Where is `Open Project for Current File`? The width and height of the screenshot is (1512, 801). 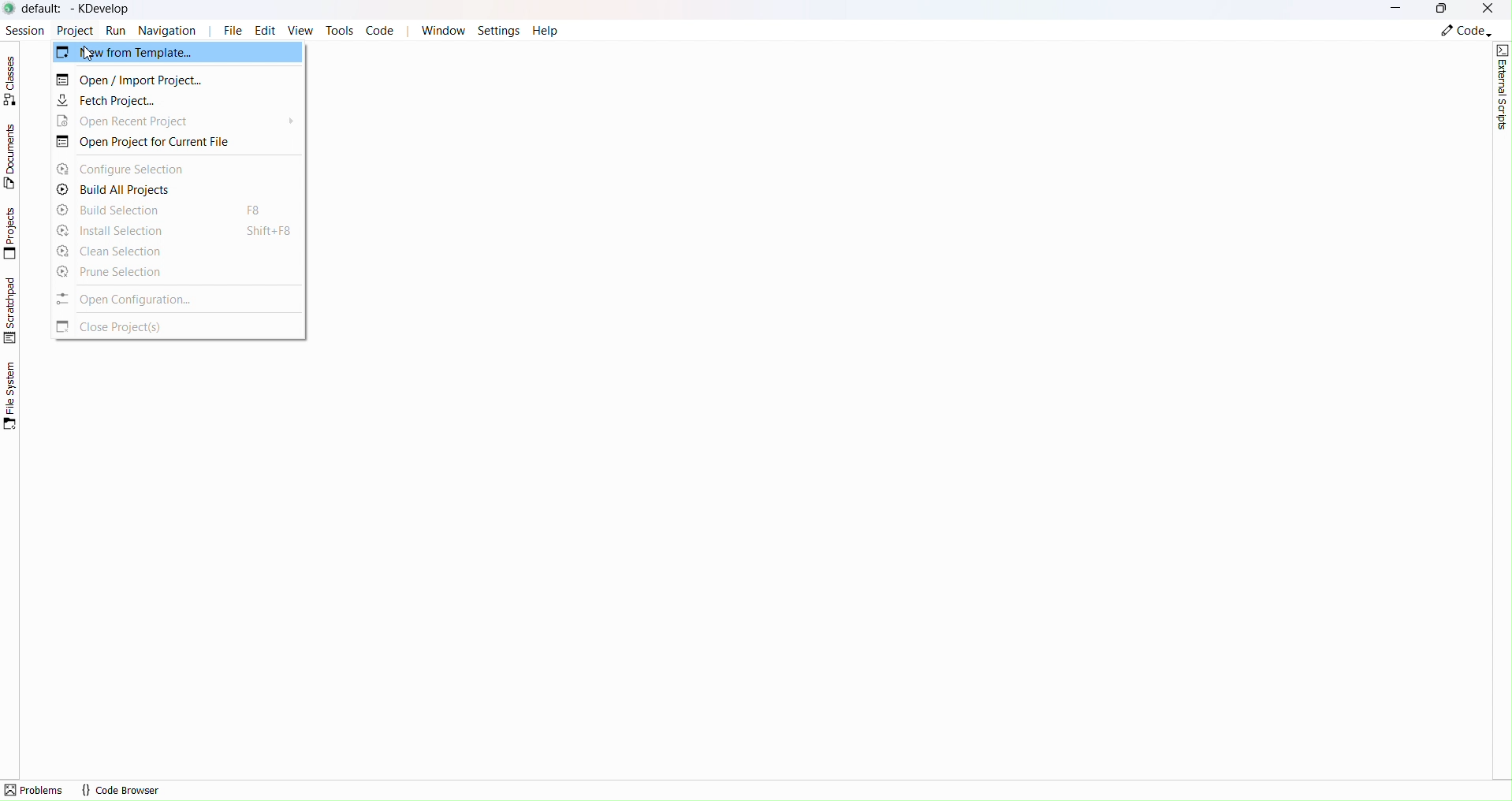
Open Project for Current File is located at coordinates (161, 143).